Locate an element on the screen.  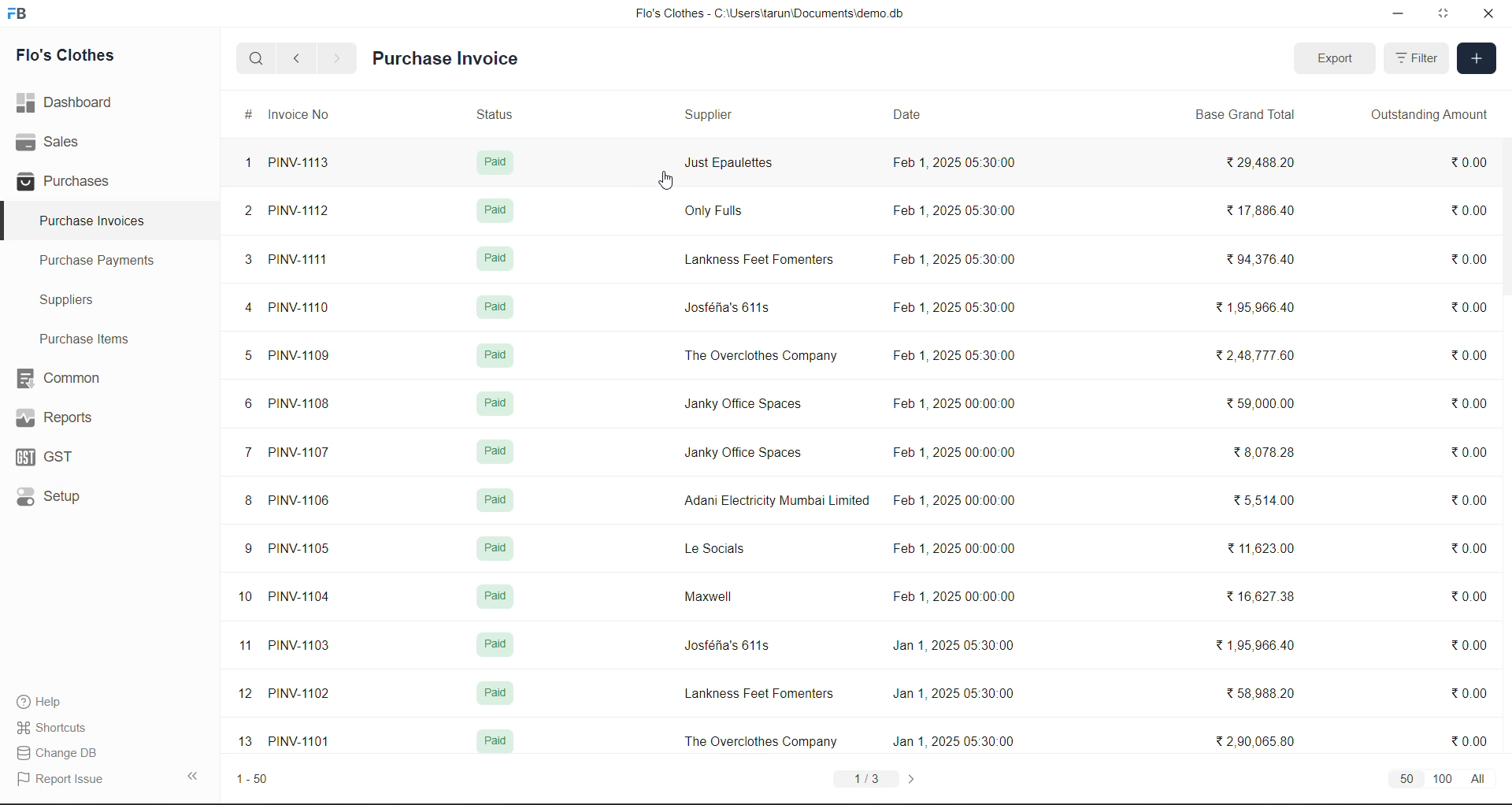
Base Grand Total is located at coordinates (1250, 116).